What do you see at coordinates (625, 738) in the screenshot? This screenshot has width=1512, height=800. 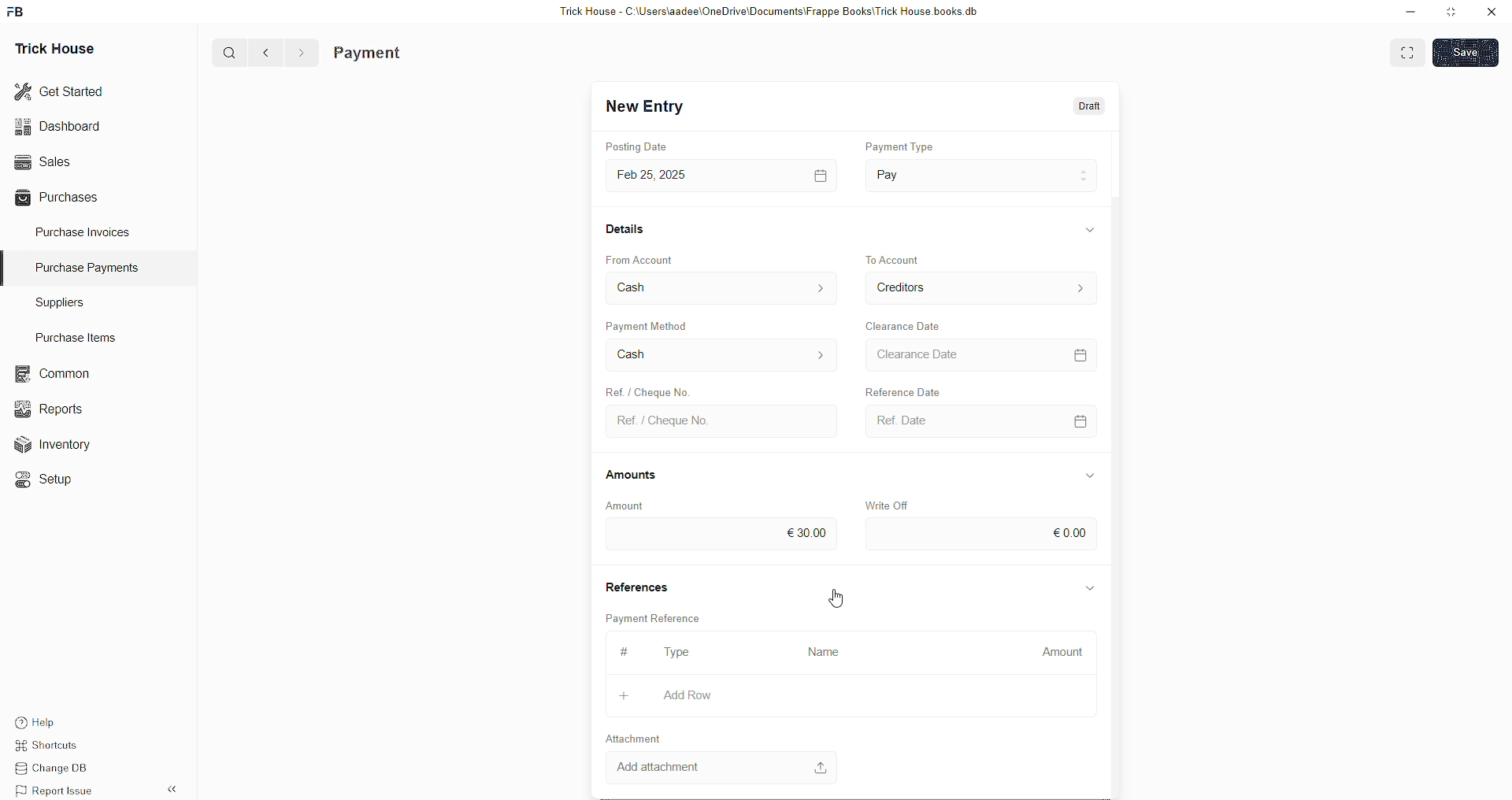 I see `Attachment` at bounding box center [625, 738].